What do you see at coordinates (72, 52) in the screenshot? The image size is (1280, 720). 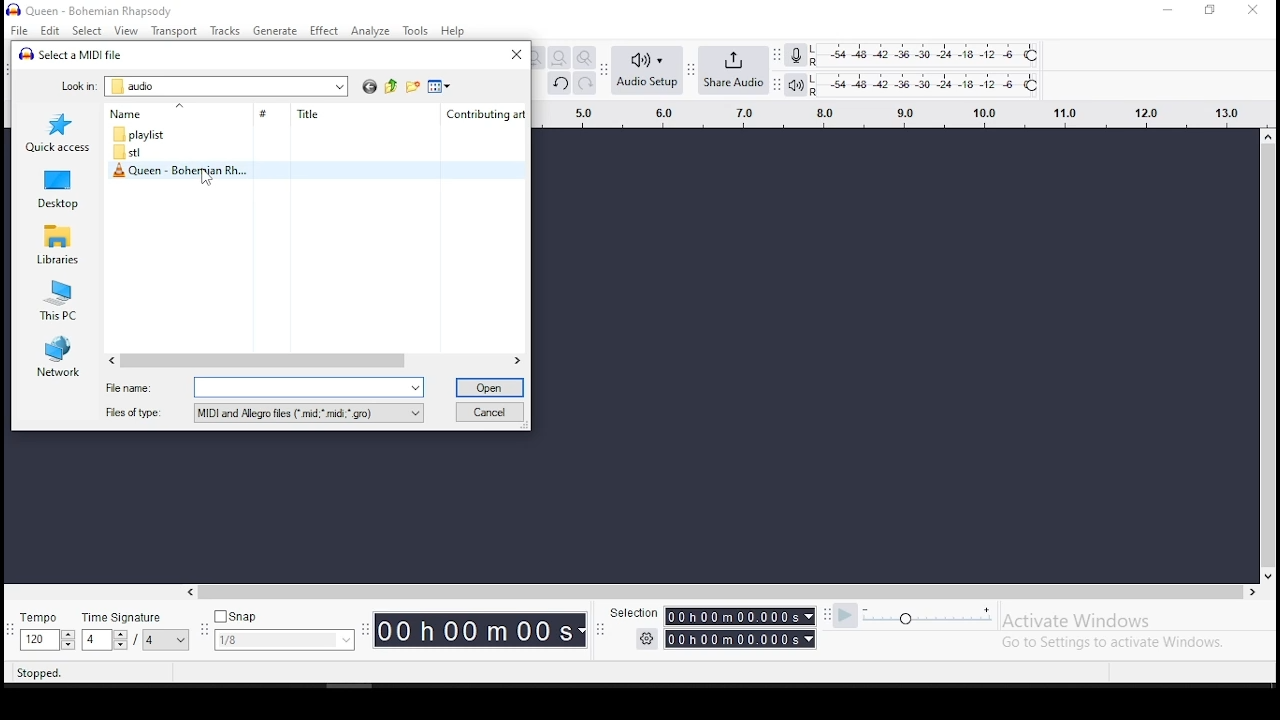 I see `Select a MIDI file` at bounding box center [72, 52].